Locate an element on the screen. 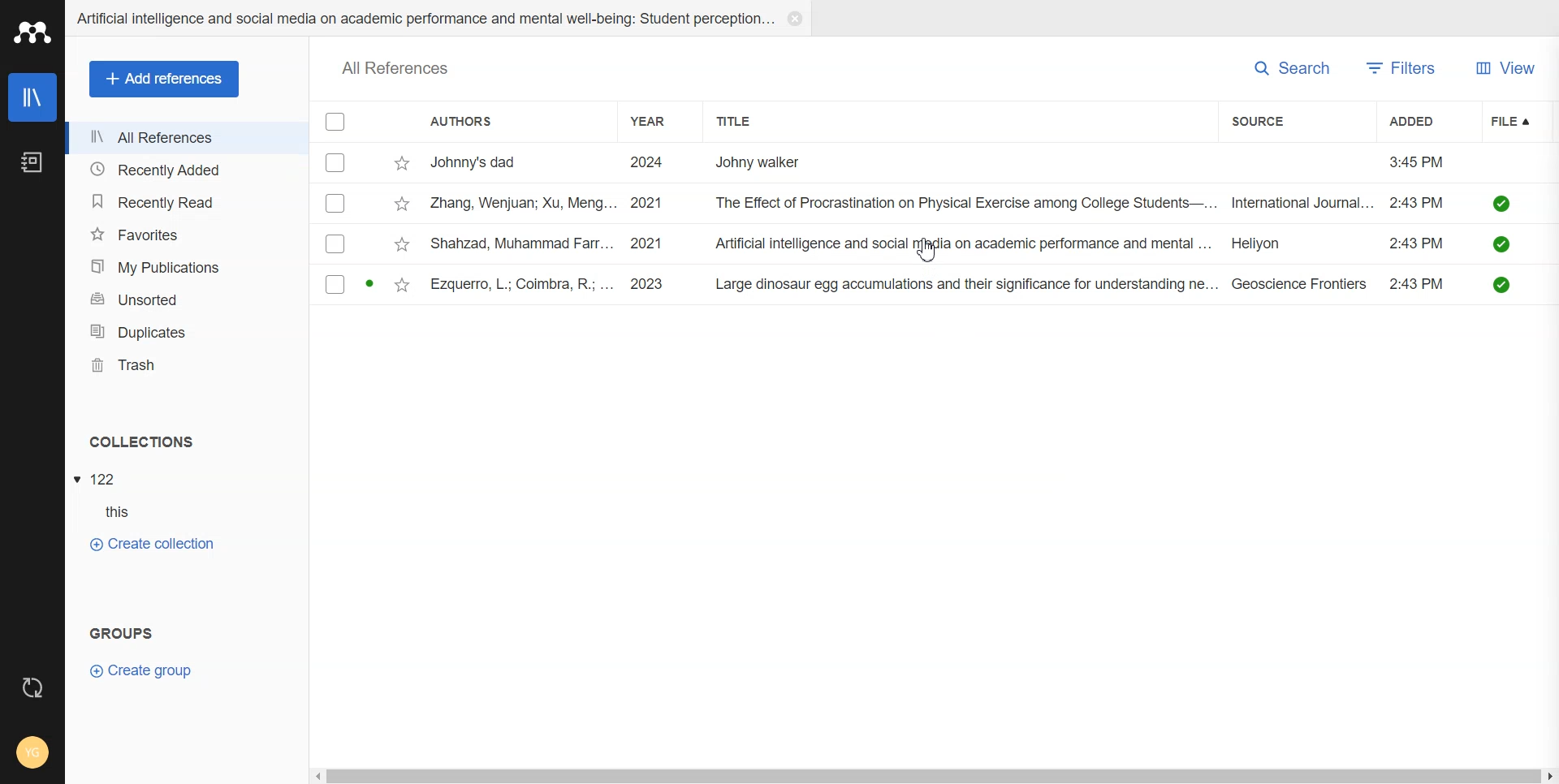  Horizontal Scroll bar is located at coordinates (935, 774).